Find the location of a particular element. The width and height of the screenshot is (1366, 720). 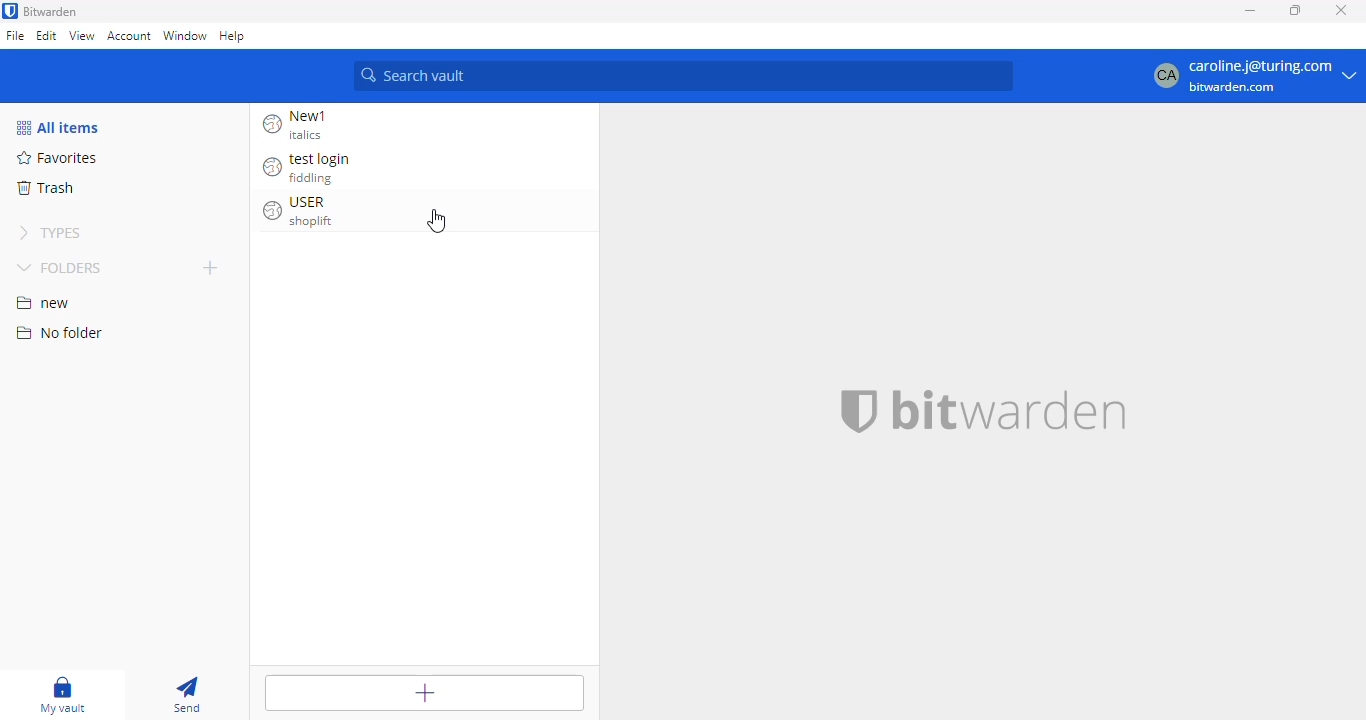

close is located at coordinates (1342, 11).